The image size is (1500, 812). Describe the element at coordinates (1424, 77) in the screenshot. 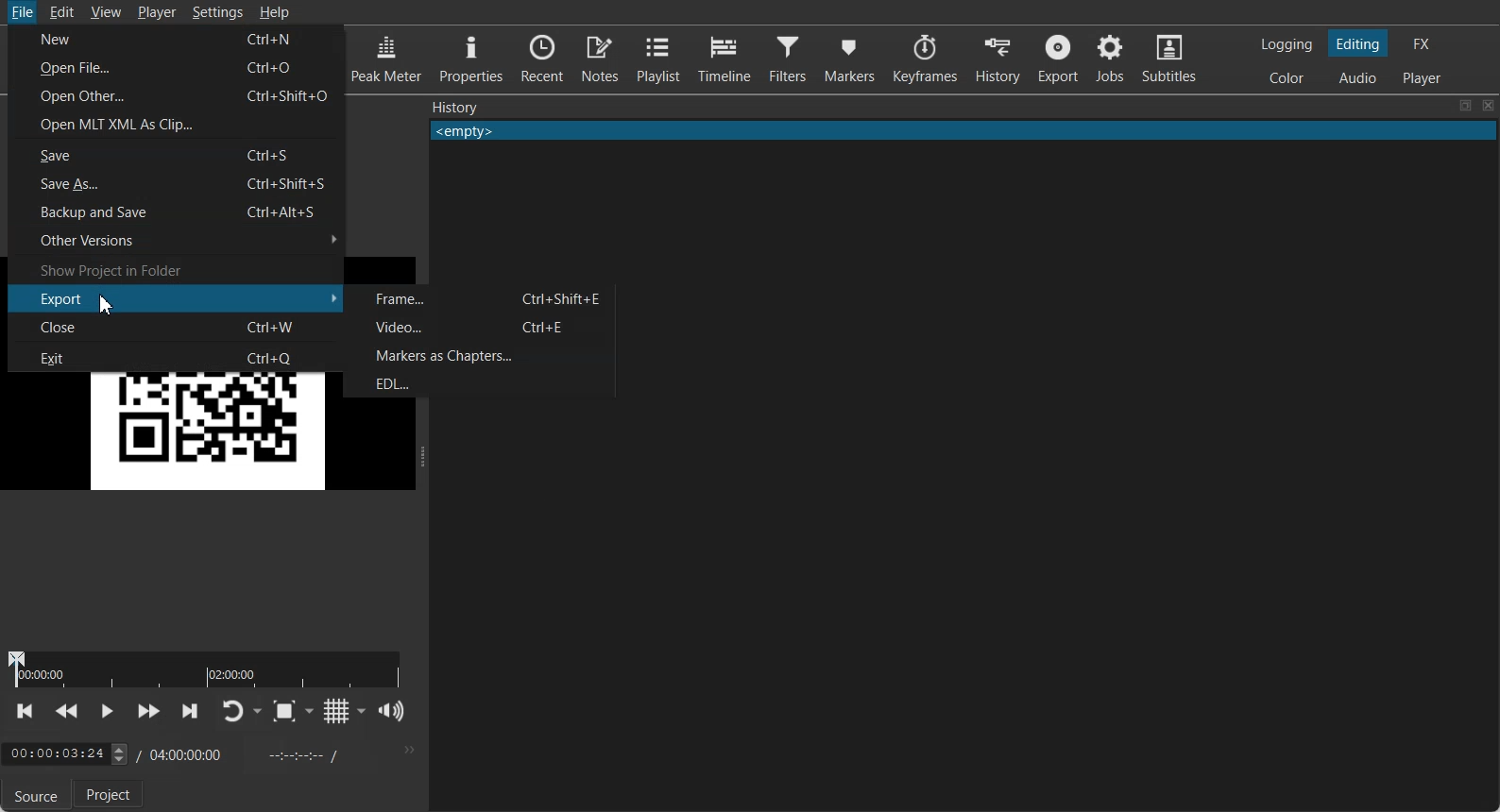

I see `Switching to Player Only Layout` at that location.